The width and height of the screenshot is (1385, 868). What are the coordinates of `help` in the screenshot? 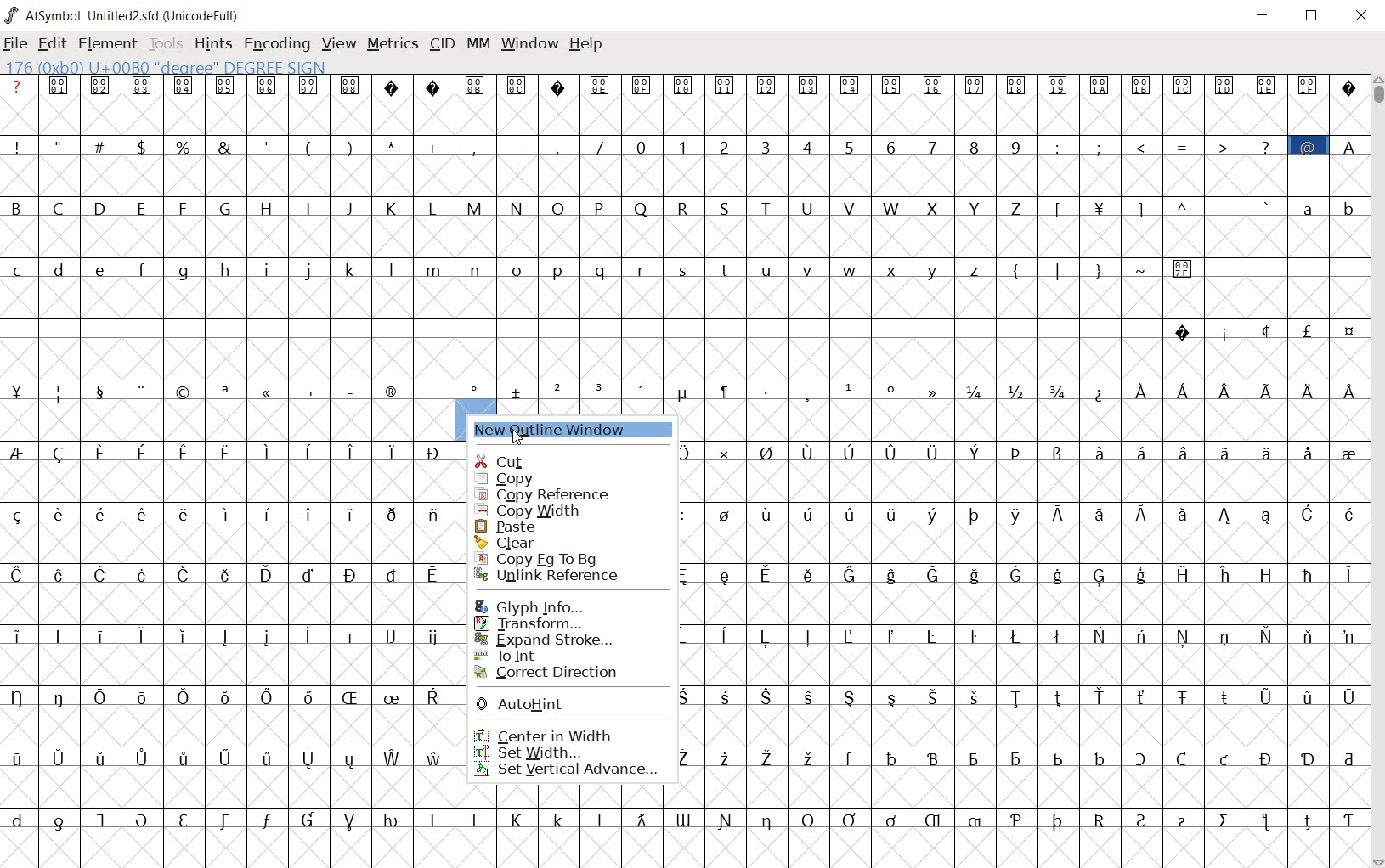 It's located at (588, 45).